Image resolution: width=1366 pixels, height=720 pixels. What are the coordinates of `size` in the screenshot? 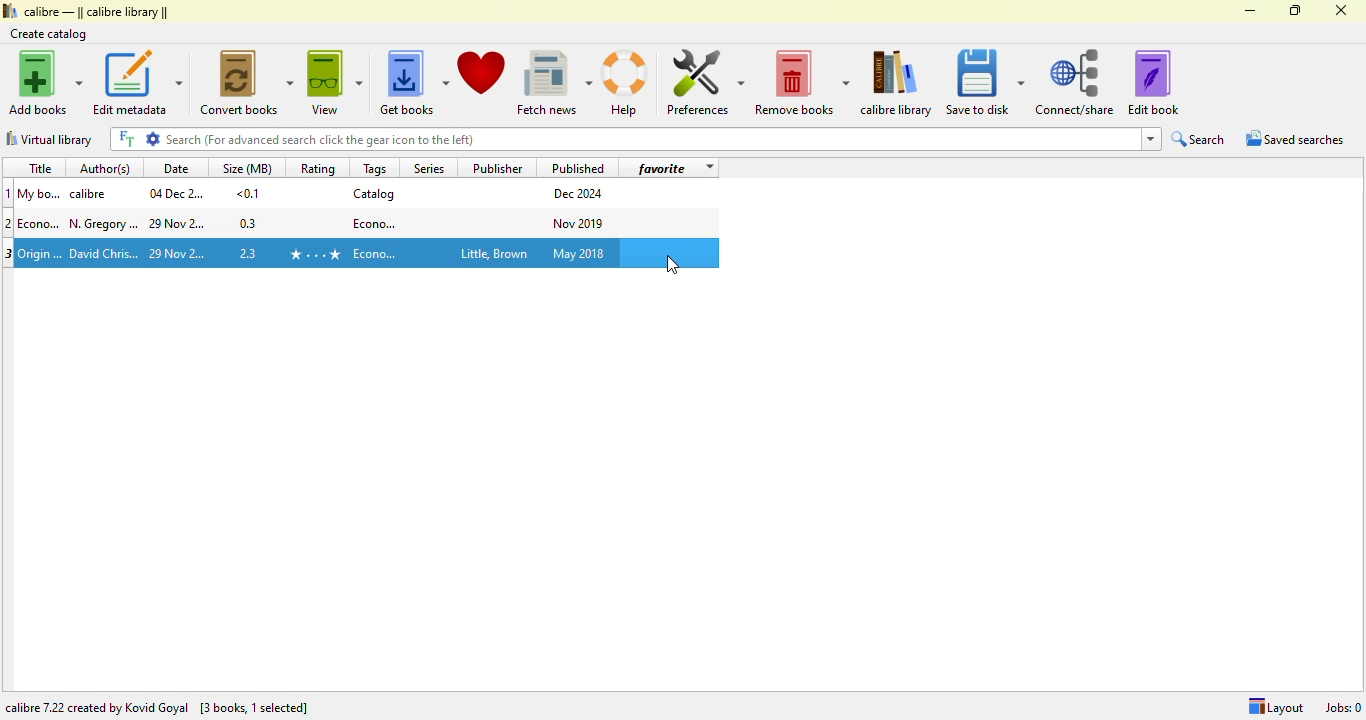 It's located at (248, 193).